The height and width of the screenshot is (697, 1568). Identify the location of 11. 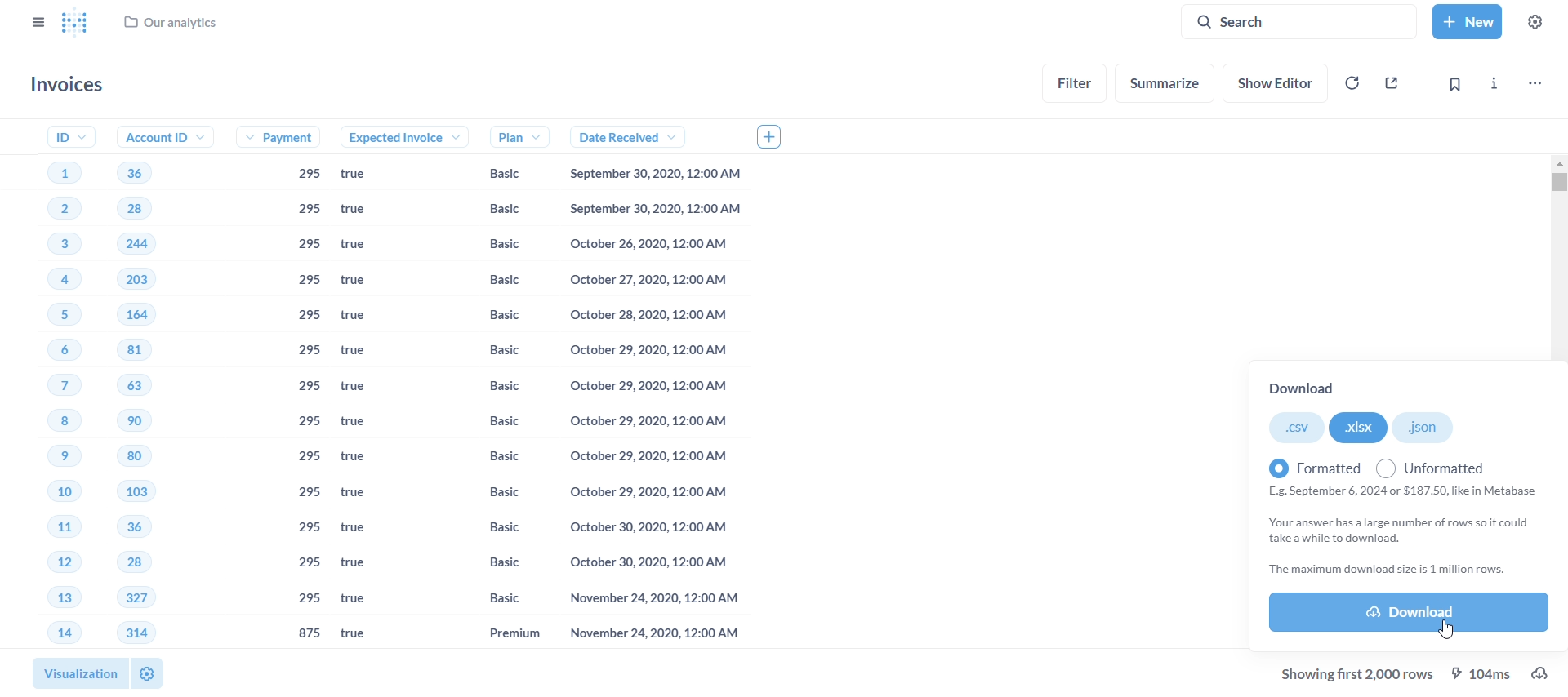
(50, 529).